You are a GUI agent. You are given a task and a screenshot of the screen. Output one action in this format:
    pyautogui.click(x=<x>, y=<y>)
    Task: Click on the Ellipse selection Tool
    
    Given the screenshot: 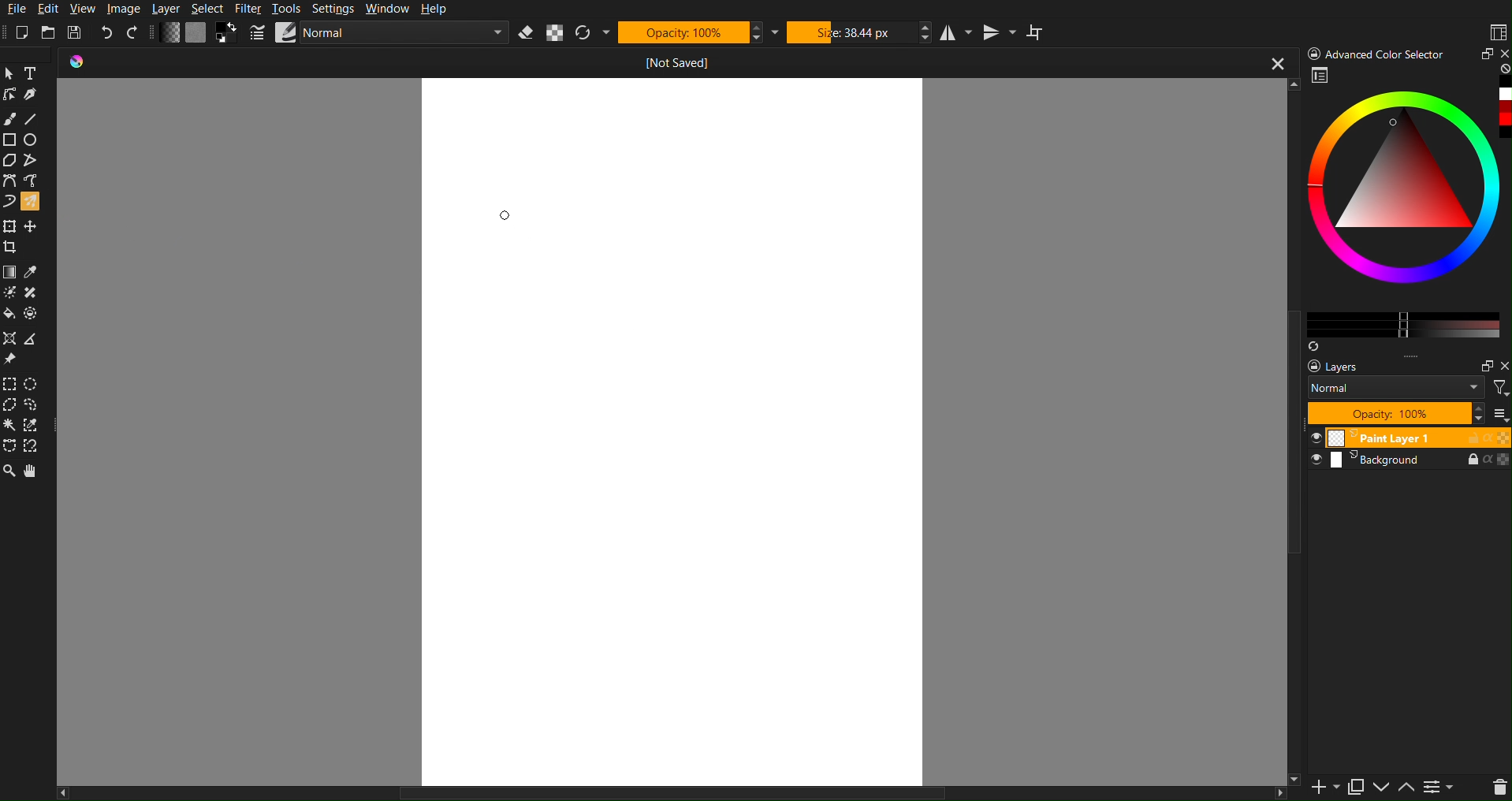 What is the action you would take?
    pyautogui.click(x=36, y=384)
    